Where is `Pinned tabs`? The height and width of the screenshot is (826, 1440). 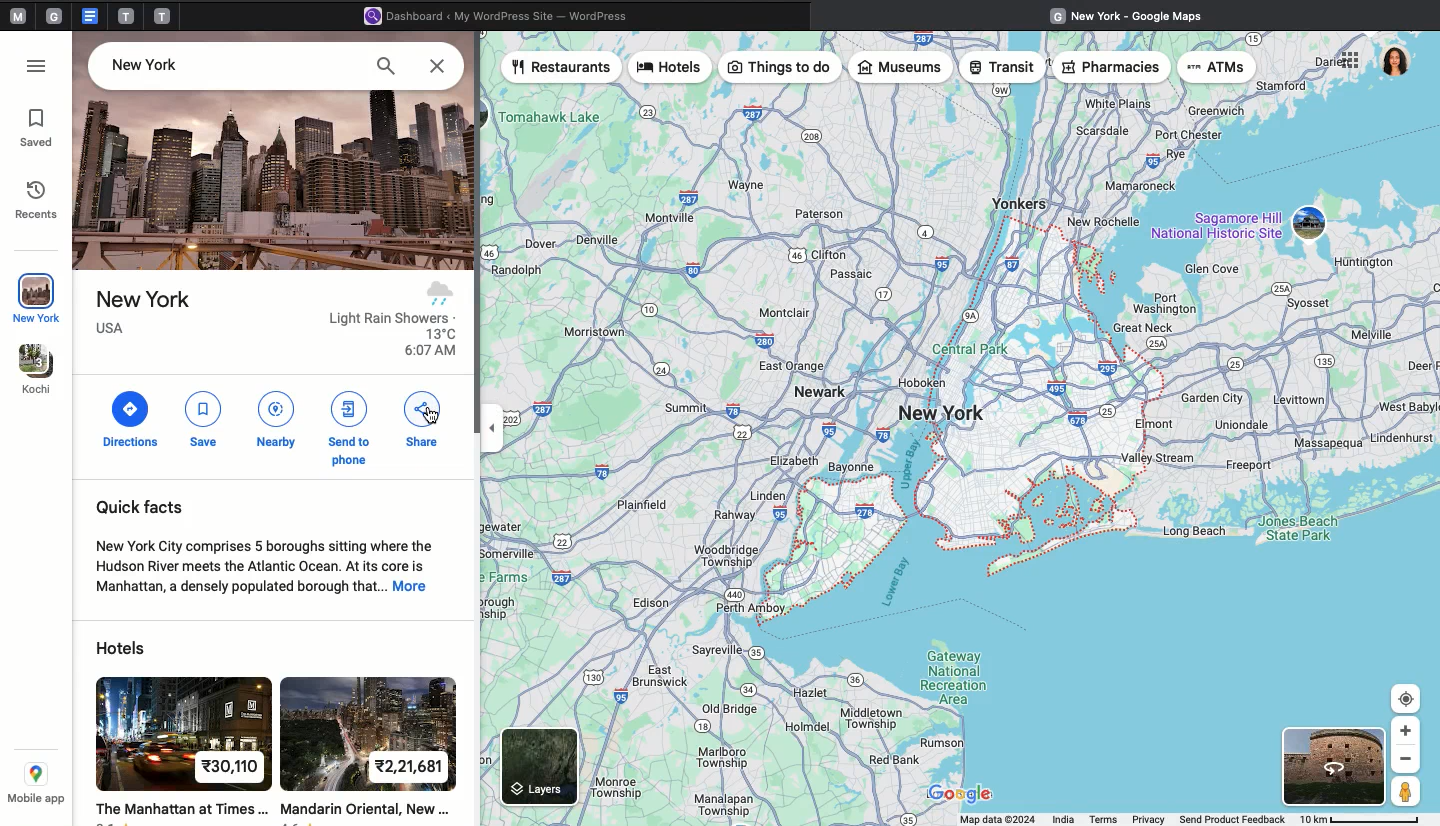 Pinned tabs is located at coordinates (19, 15).